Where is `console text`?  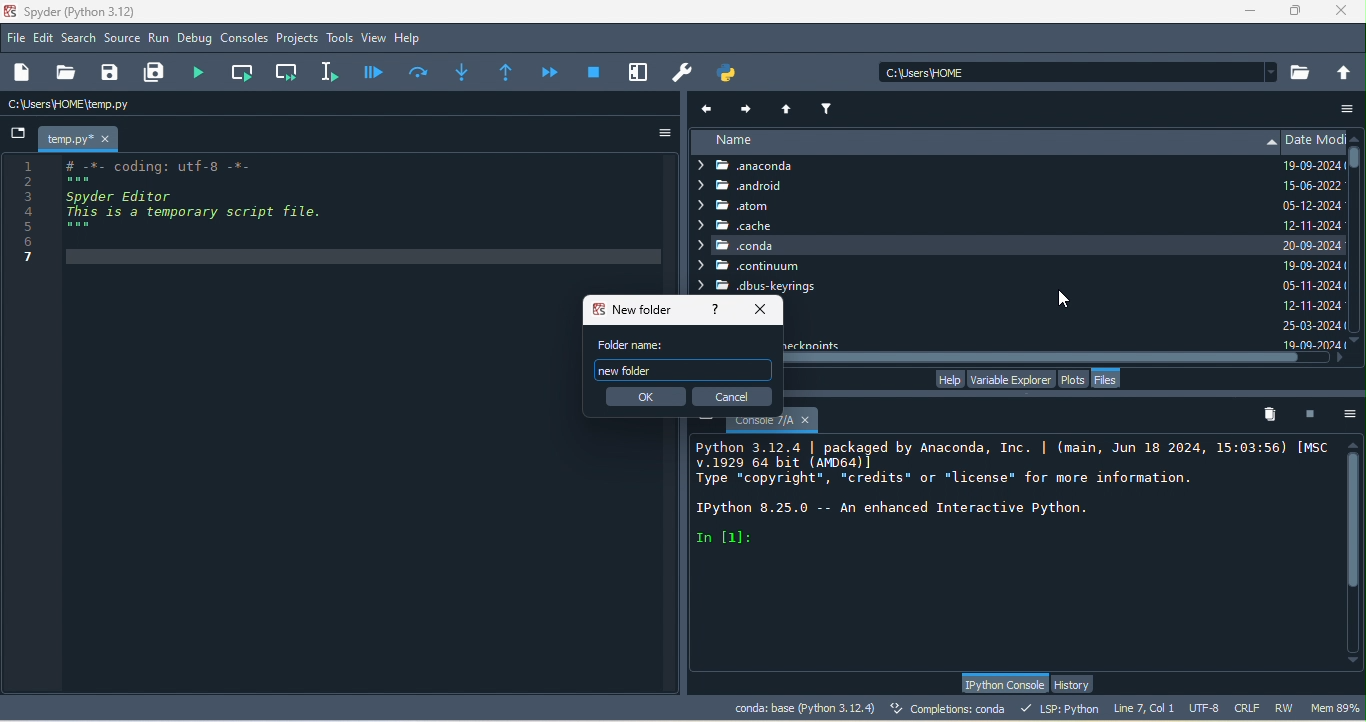 console text is located at coordinates (1008, 495).